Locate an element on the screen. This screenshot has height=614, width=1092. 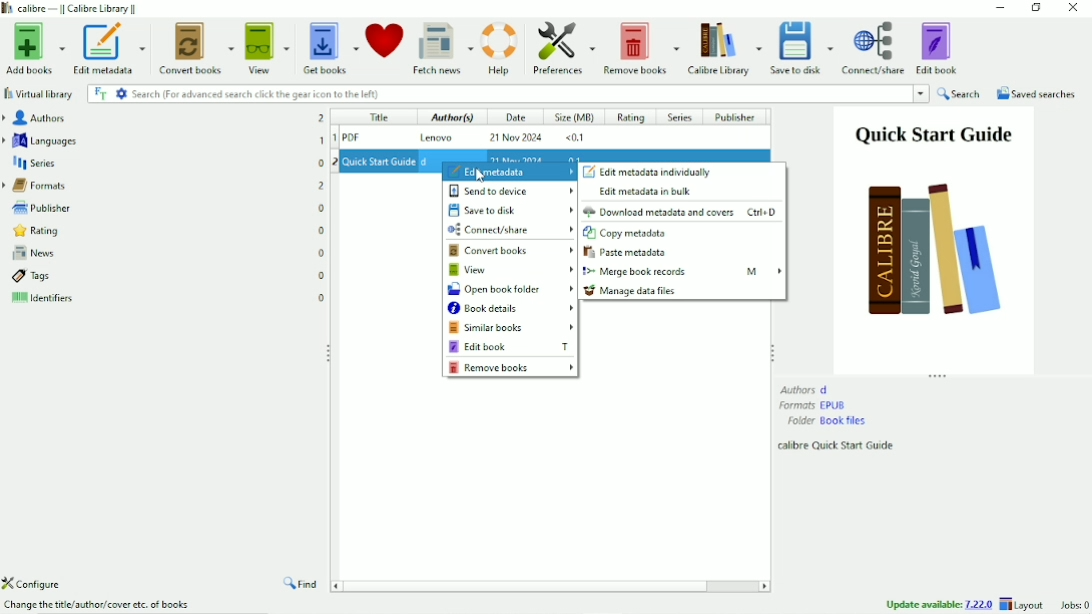
Find is located at coordinates (302, 585).